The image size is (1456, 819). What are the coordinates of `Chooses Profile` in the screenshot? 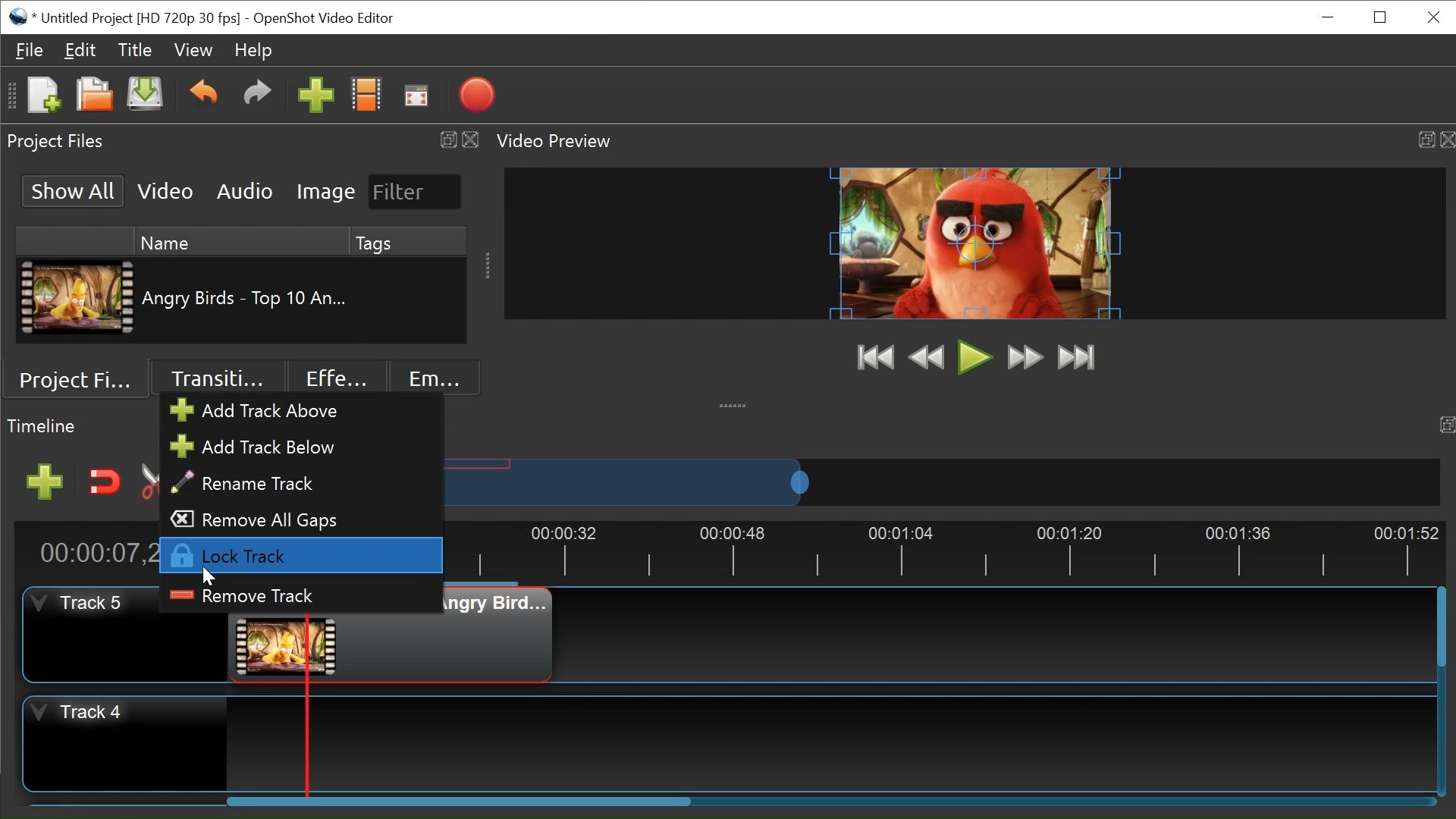 It's located at (368, 95).